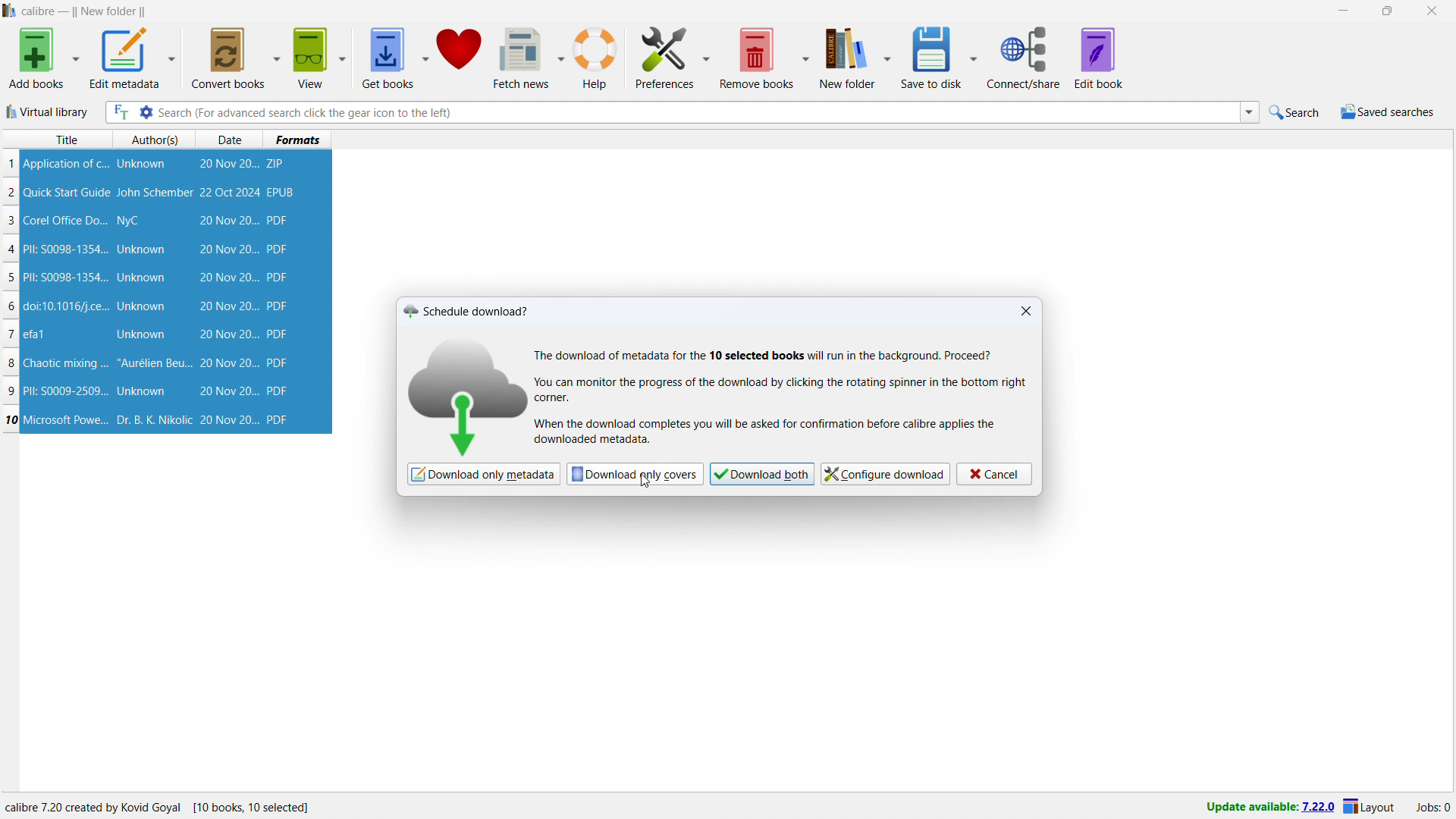 The height and width of the screenshot is (819, 1456). Describe the element at coordinates (14, 250) in the screenshot. I see `4` at that location.